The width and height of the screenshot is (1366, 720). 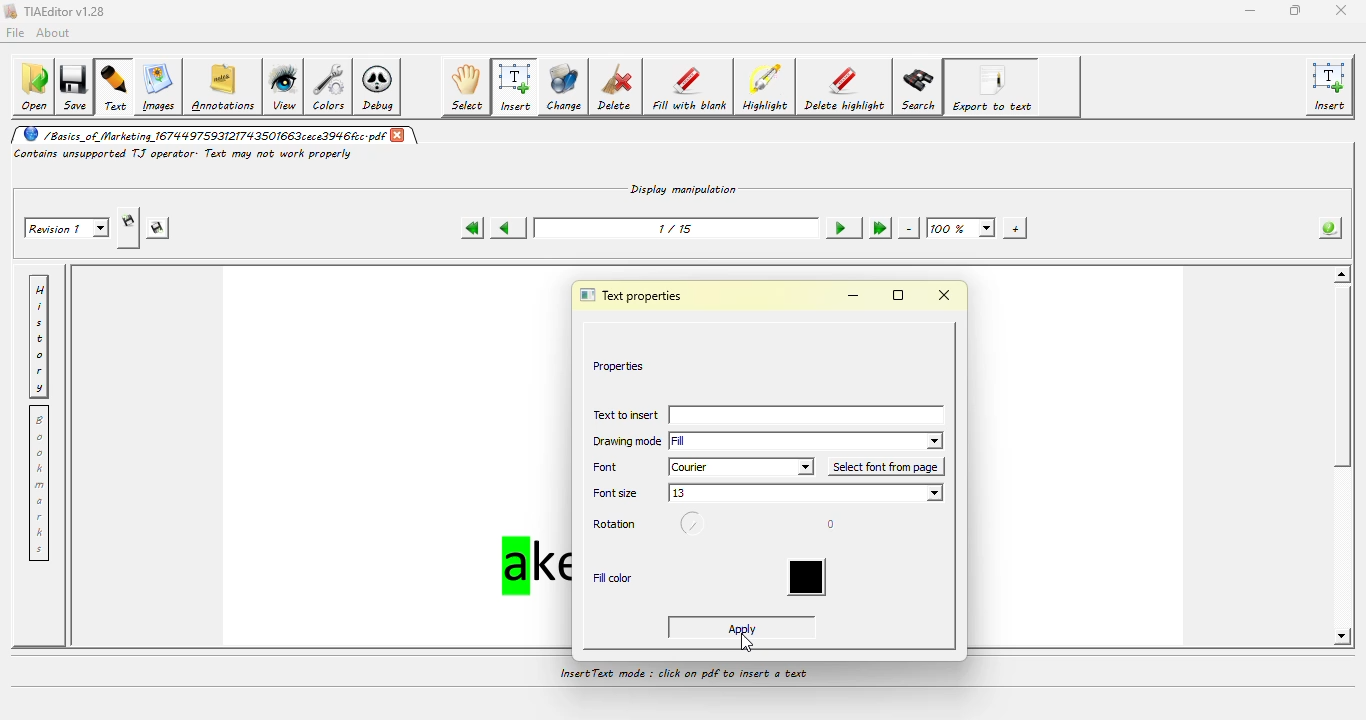 What do you see at coordinates (612, 467) in the screenshot?
I see `Font` at bounding box center [612, 467].